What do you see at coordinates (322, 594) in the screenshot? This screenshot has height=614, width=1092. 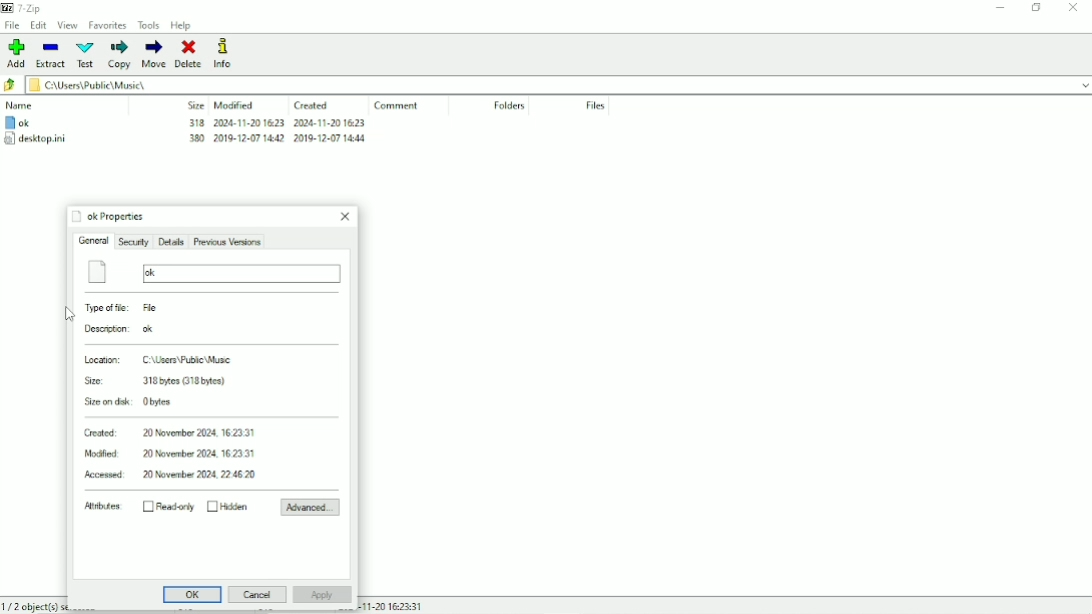 I see `Apply` at bounding box center [322, 594].